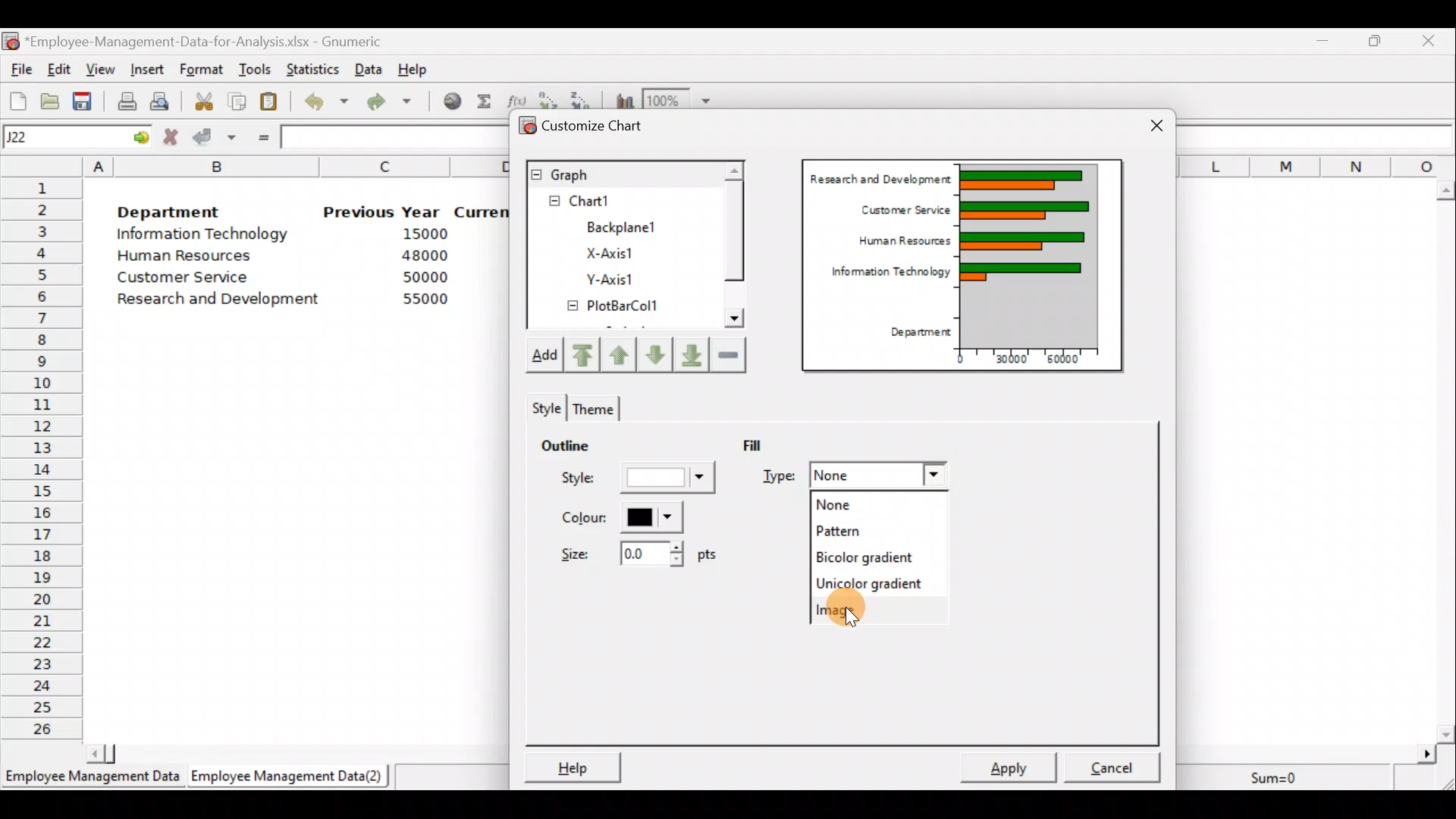 This screenshot has height=819, width=1456. What do you see at coordinates (1147, 121) in the screenshot?
I see `Close` at bounding box center [1147, 121].